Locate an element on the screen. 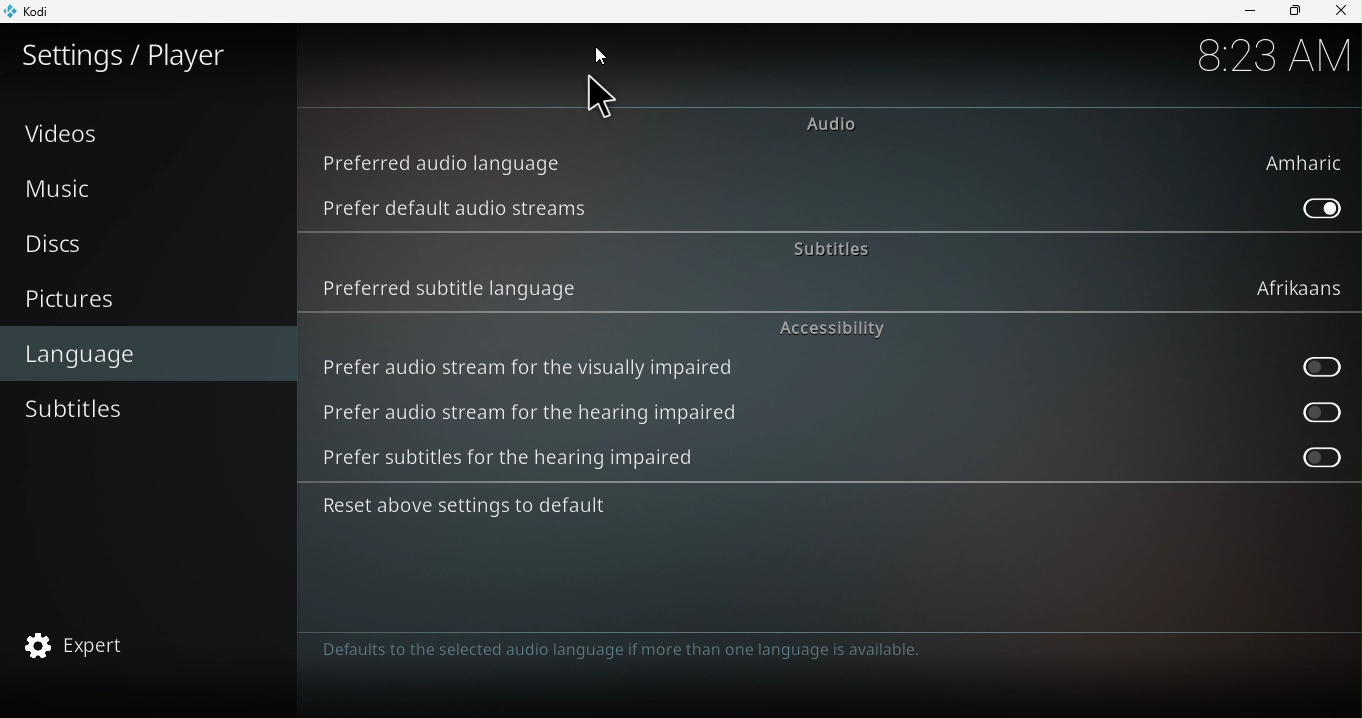 The width and height of the screenshot is (1362, 718). Prefer default audio streams is located at coordinates (460, 208).